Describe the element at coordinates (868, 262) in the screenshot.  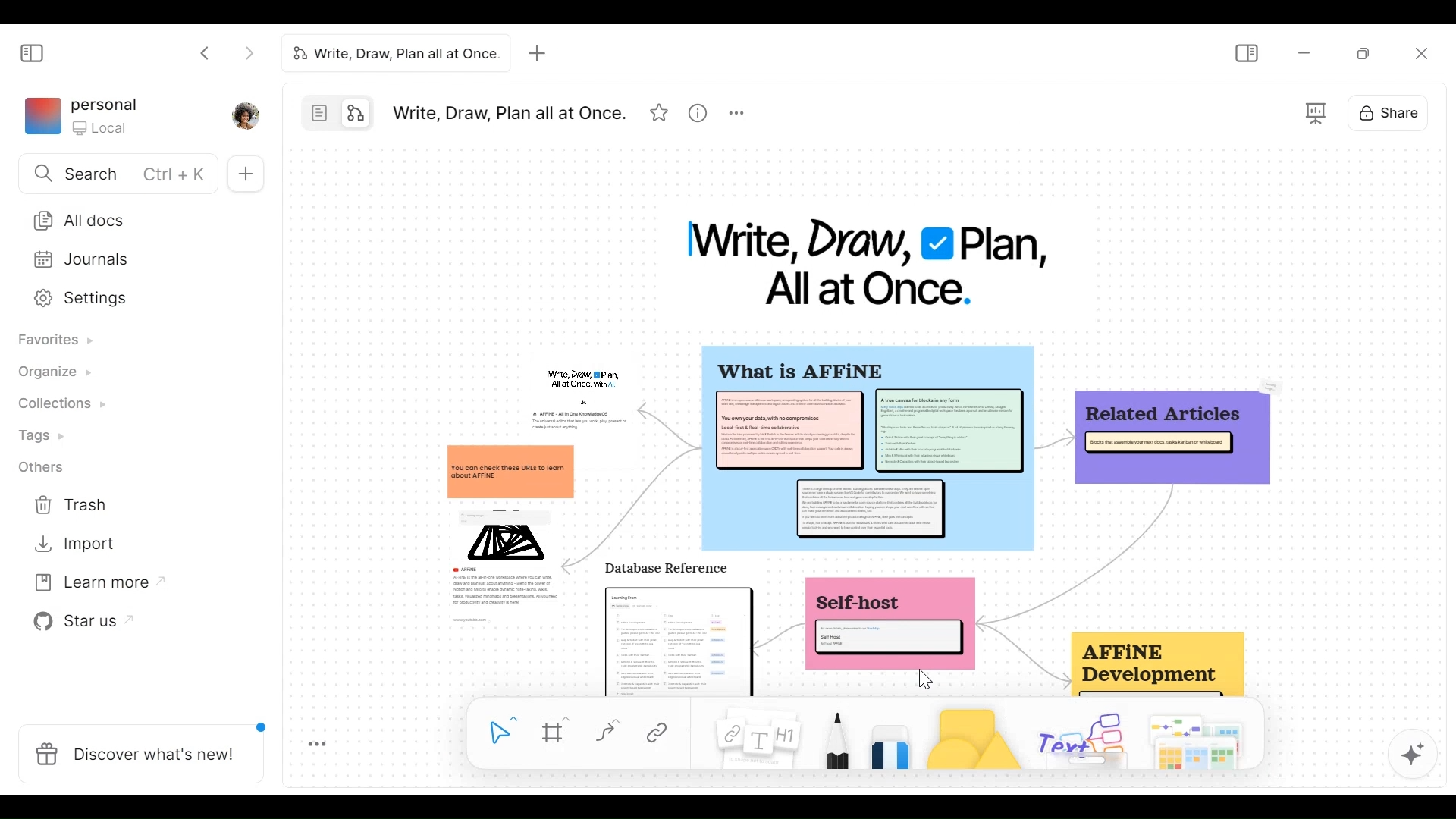
I see `Write, Draw, @ Plan,
All at Once.` at that location.